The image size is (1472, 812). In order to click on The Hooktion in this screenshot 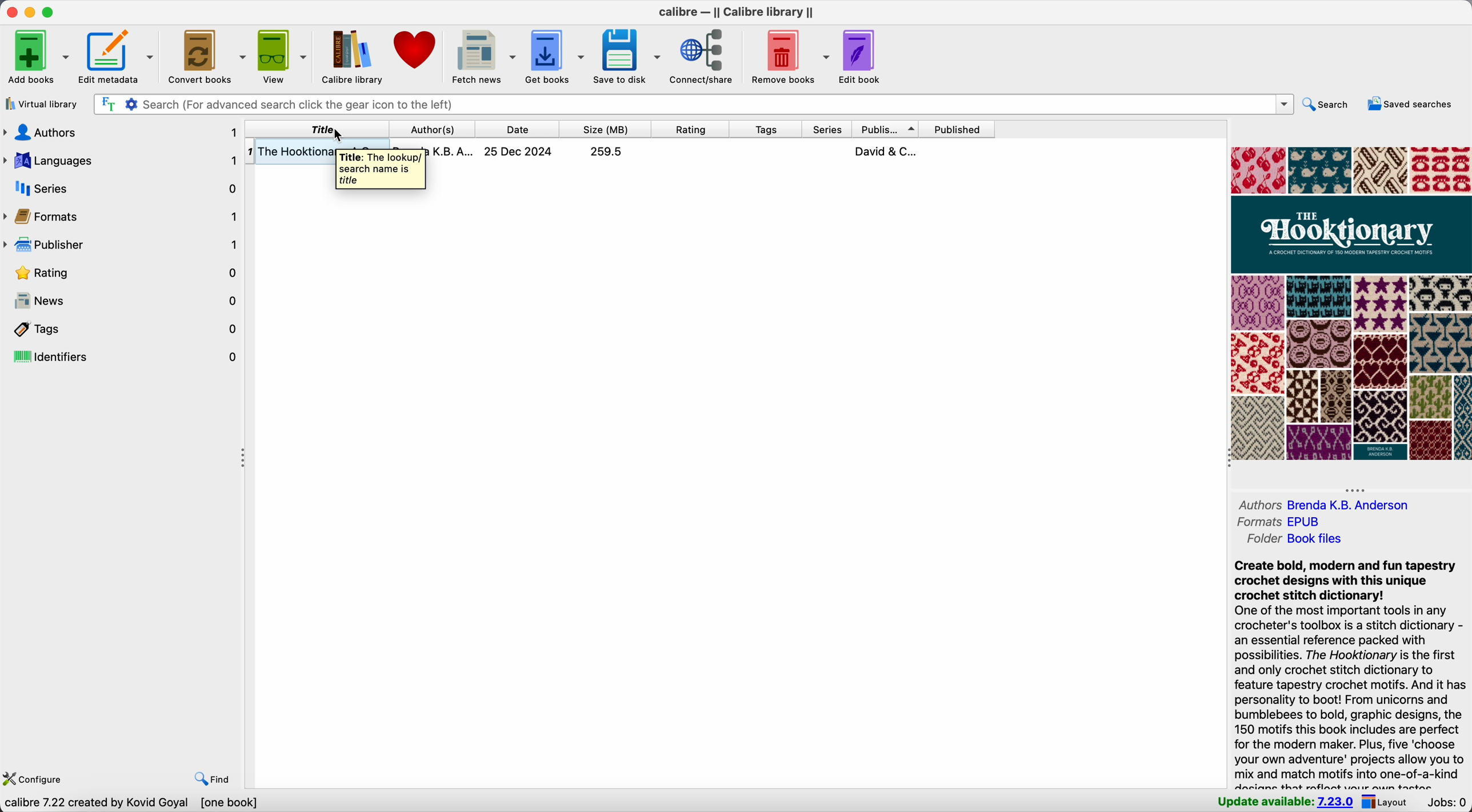, I will do `click(289, 154)`.